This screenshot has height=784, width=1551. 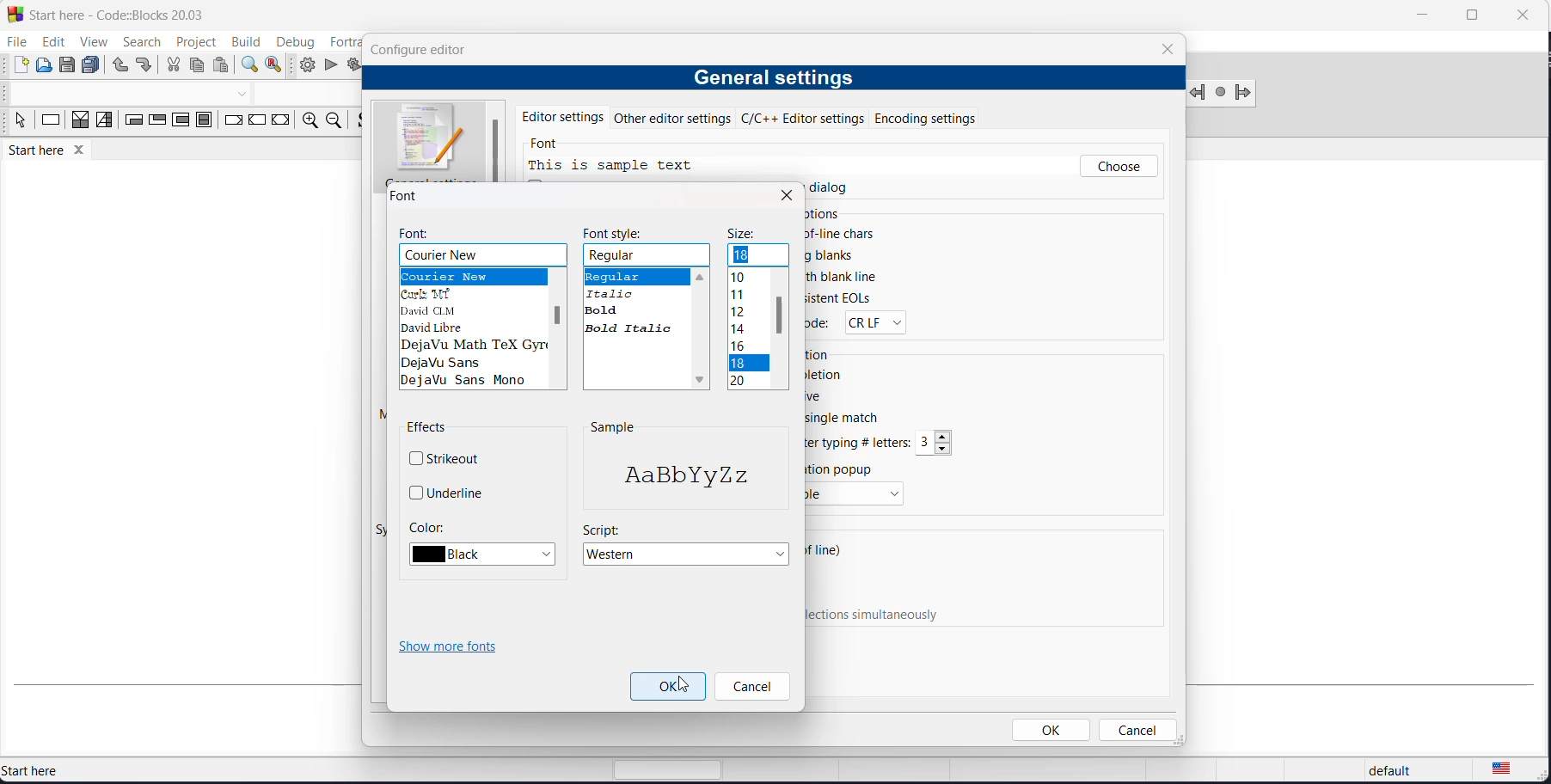 What do you see at coordinates (1419, 17) in the screenshot?
I see `minimize` at bounding box center [1419, 17].